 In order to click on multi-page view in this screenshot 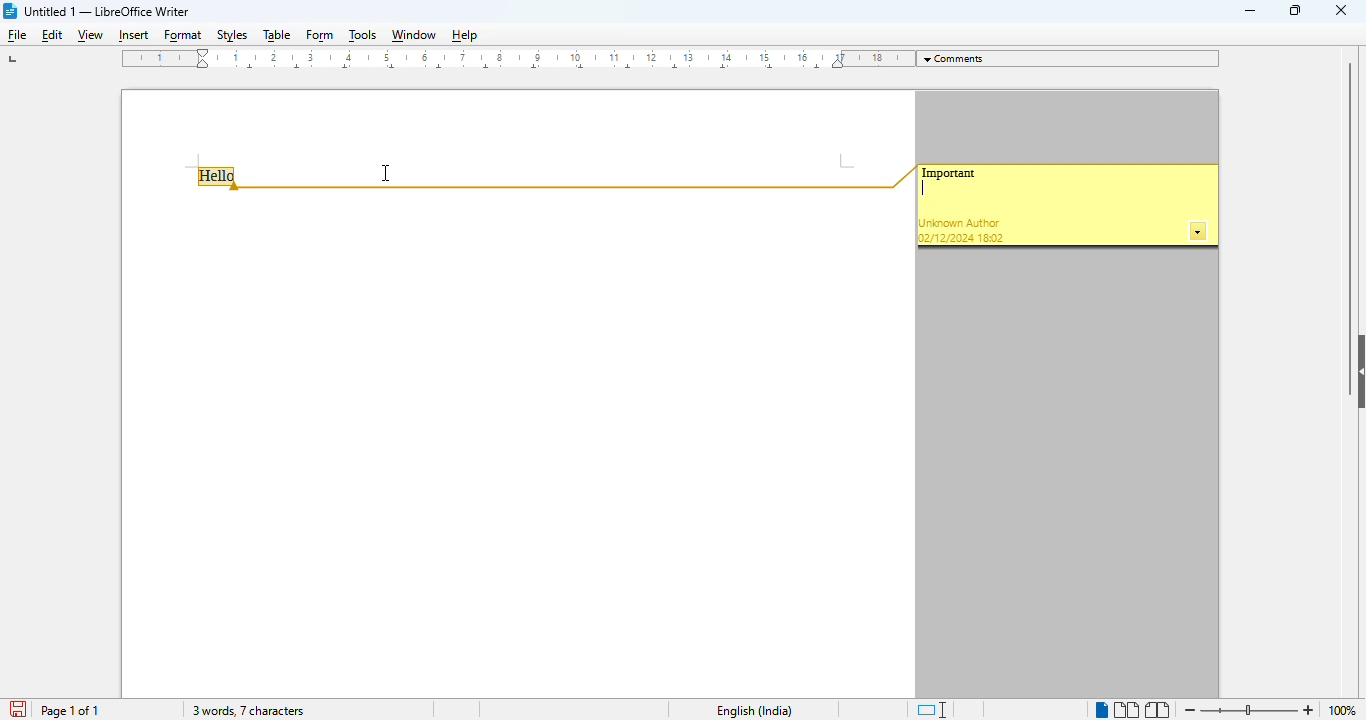, I will do `click(1127, 710)`.